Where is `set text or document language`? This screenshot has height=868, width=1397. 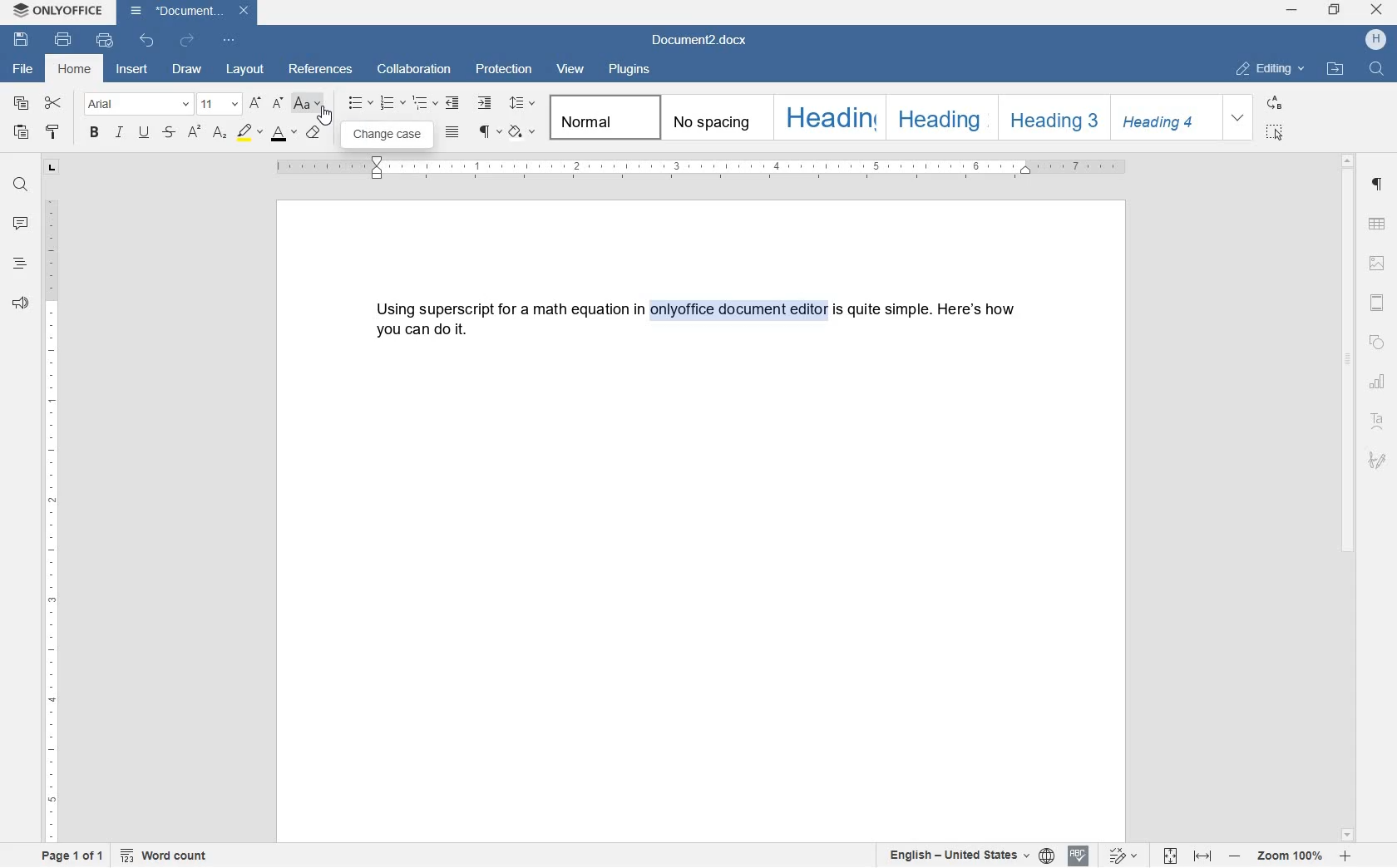 set text or document language is located at coordinates (971, 856).